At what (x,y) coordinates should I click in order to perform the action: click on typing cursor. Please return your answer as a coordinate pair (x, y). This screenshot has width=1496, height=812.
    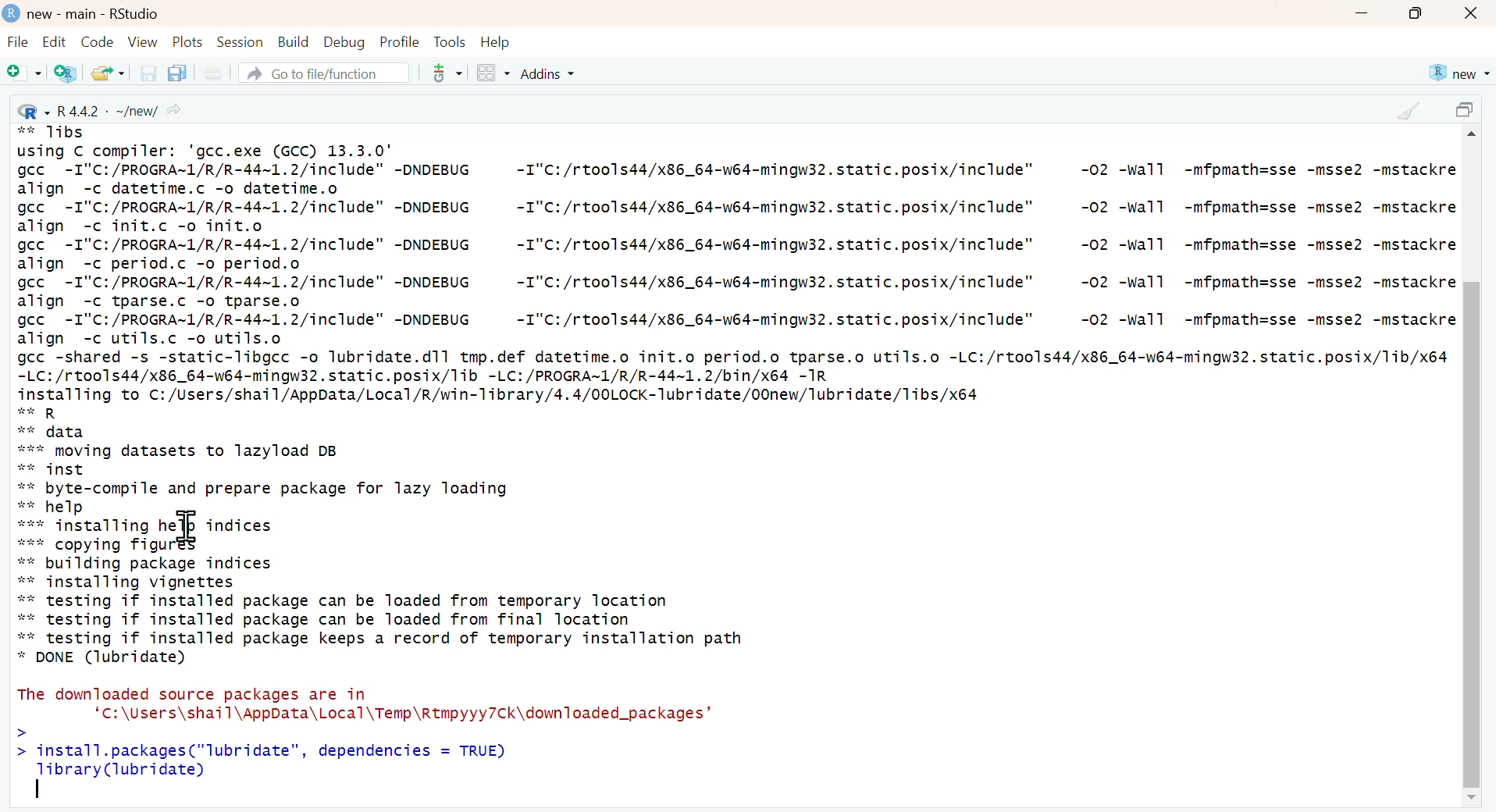
    Looking at the image, I should click on (40, 789).